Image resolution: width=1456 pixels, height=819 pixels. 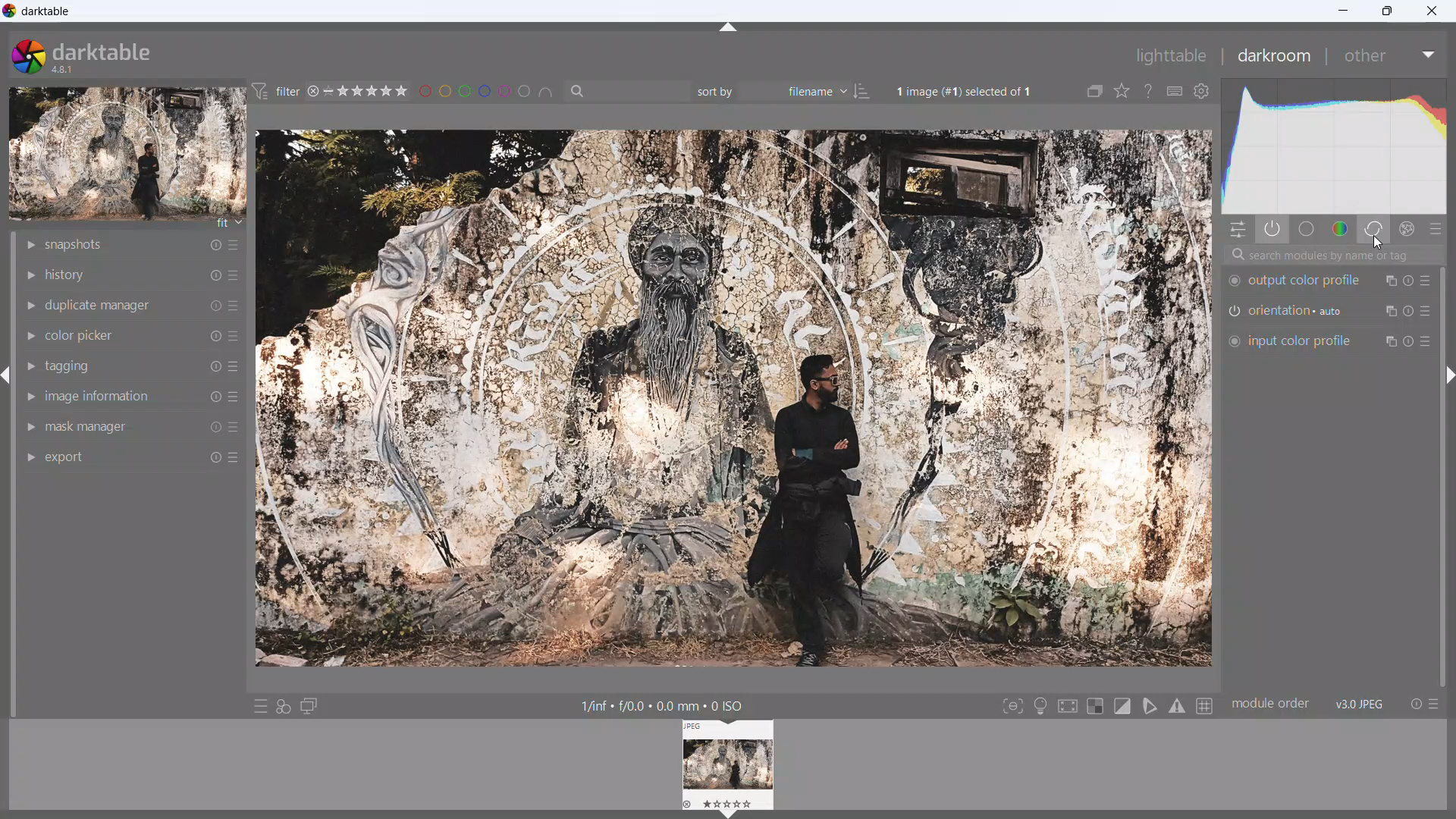 I want to click on presets, so click(x=1438, y=704).